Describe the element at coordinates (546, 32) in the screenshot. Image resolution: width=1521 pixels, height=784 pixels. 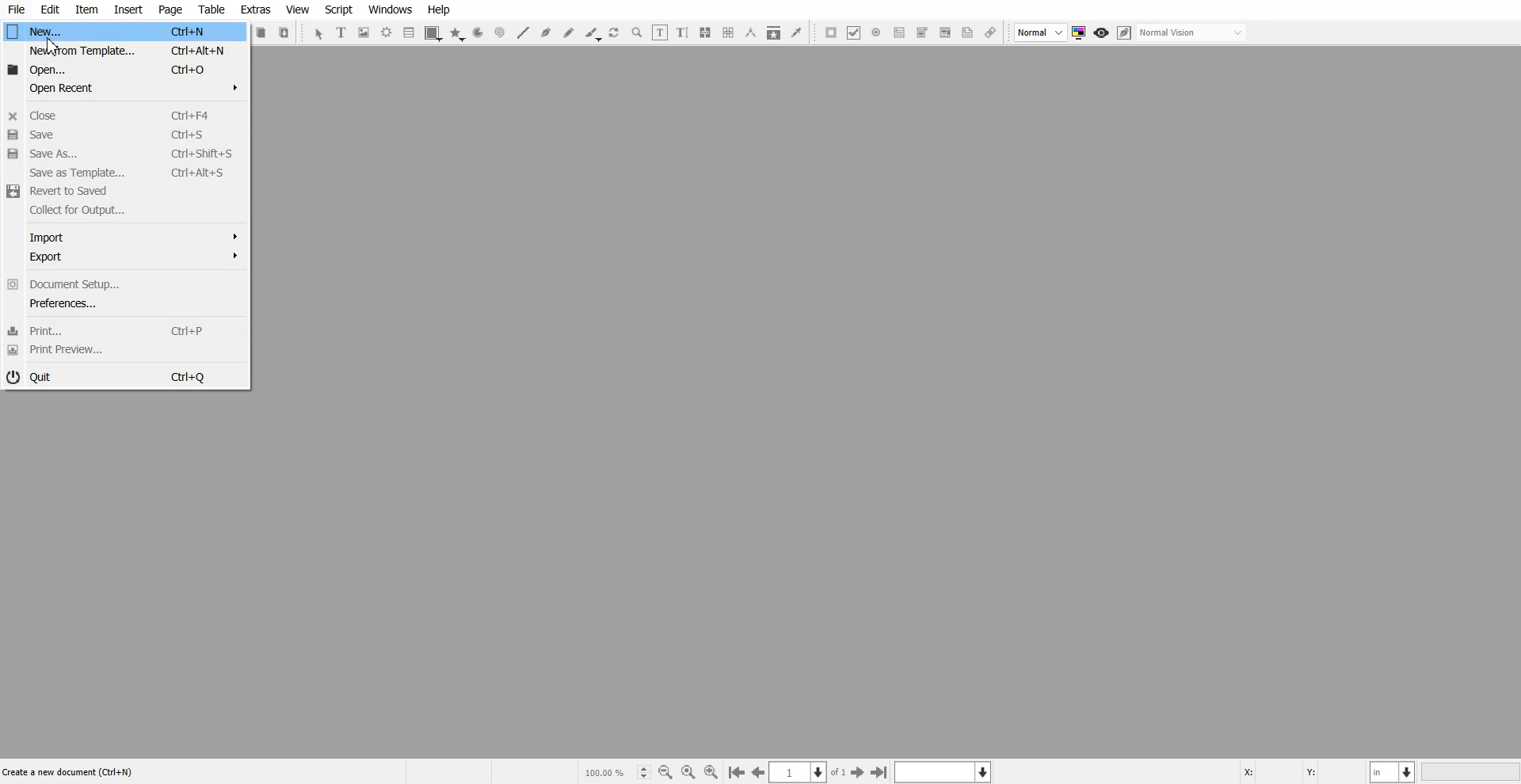
I see `Bezier curve` at that location.